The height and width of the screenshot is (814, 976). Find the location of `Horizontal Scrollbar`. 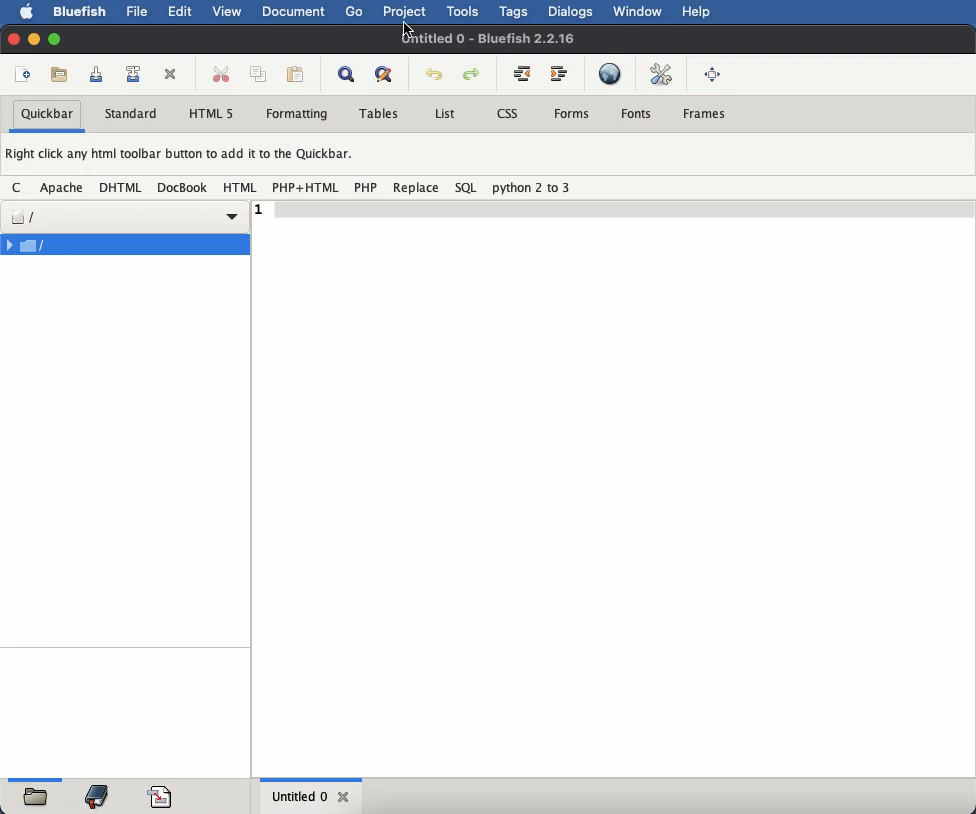

Horizontal Scrollbar is located at coordinates (36, 777).